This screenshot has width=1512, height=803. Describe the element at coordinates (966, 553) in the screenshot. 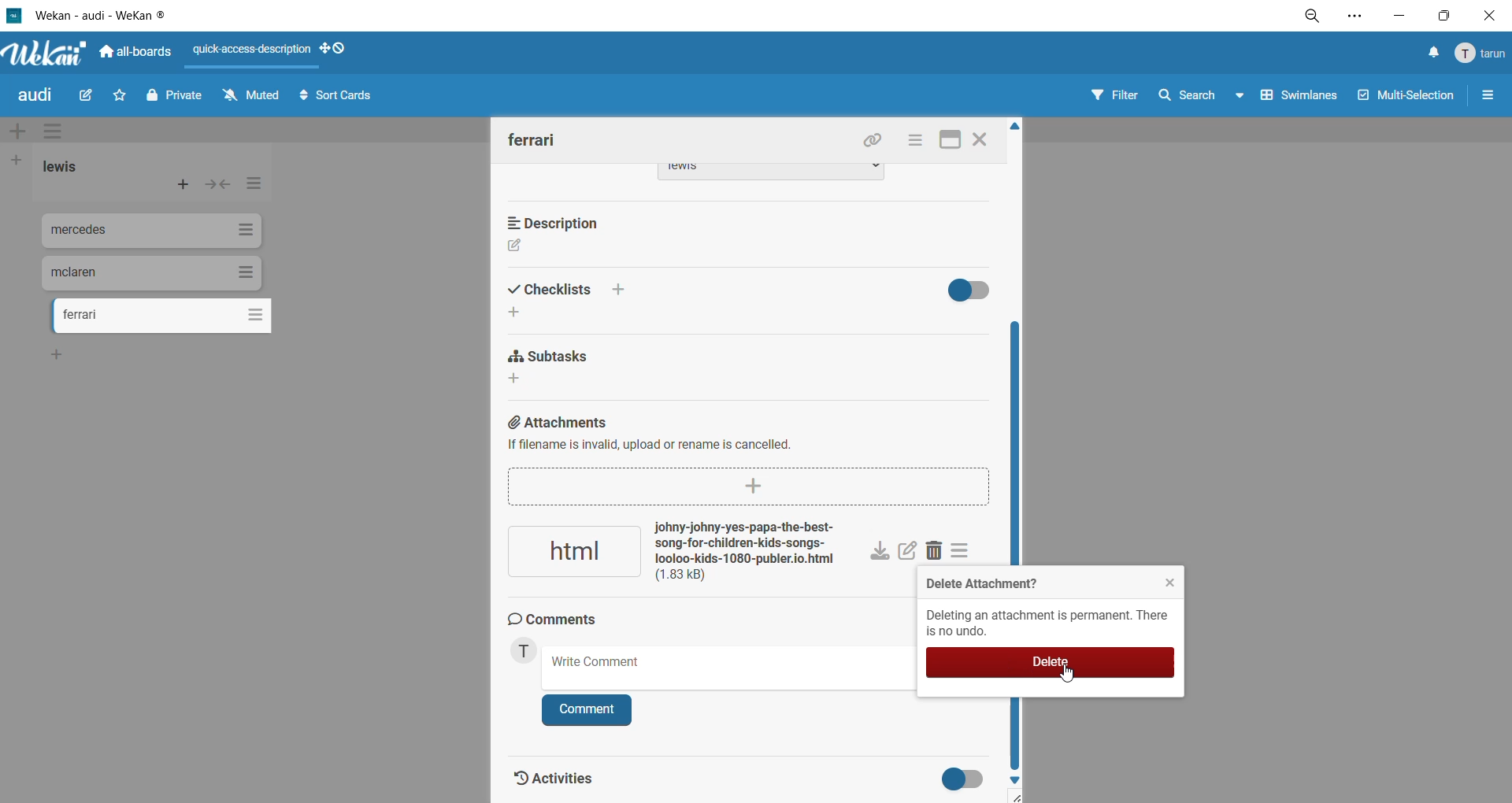

I see `attachment actions` at that location.